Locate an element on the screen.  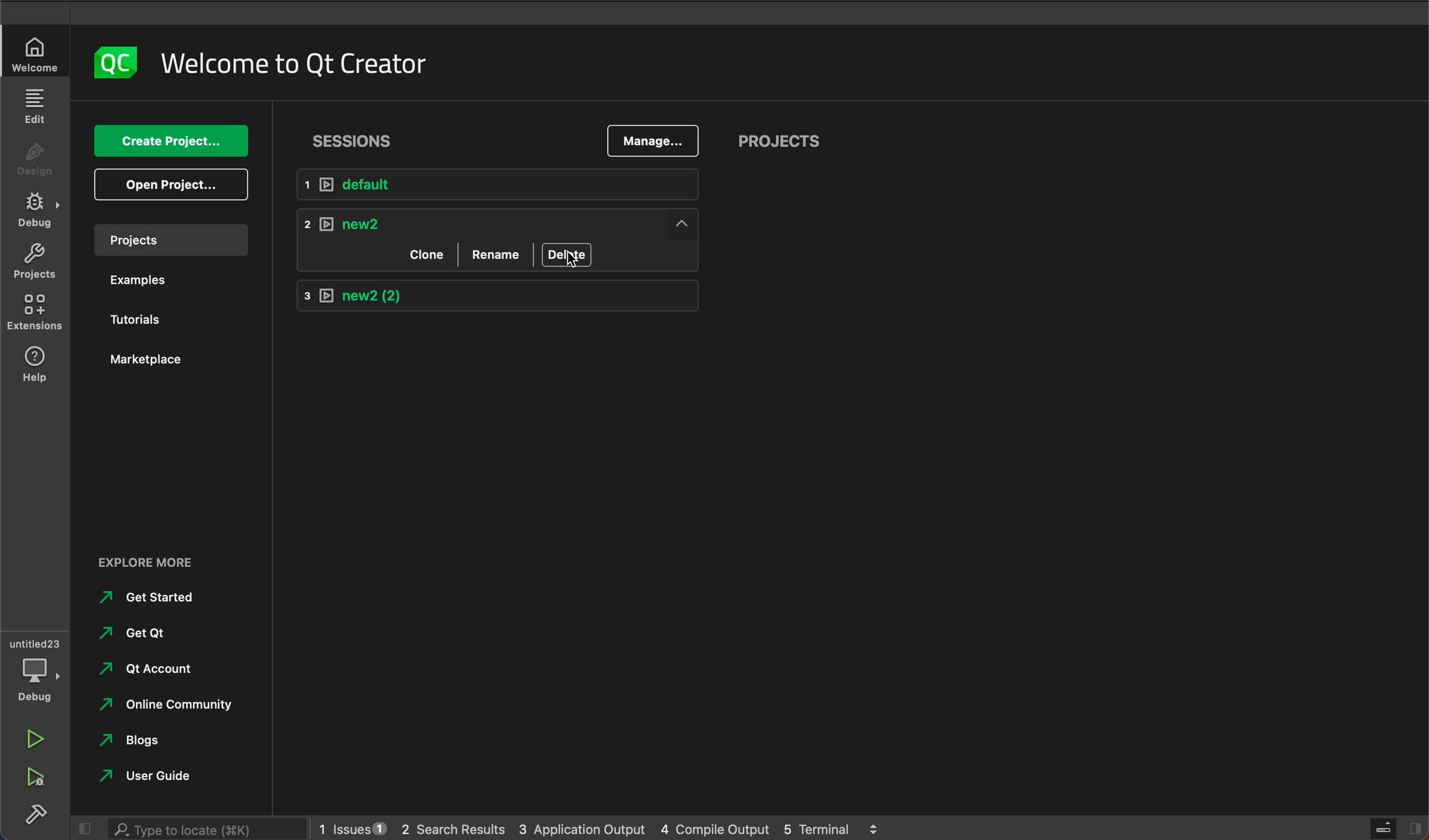
welcome is located at coordinates (302, 63).